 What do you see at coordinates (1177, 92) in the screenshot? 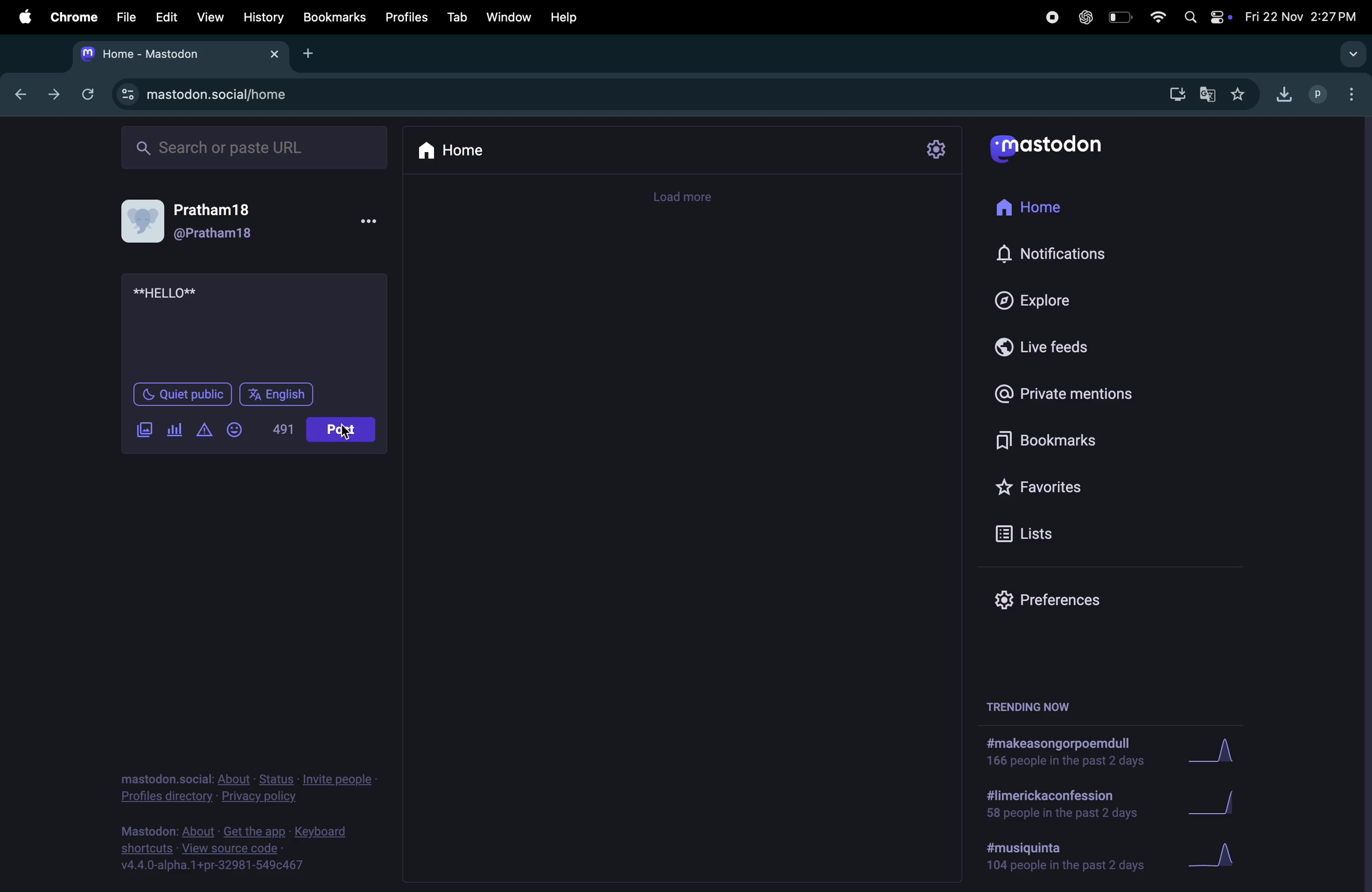
I see `downloads` at bounding box center [1177, 92].